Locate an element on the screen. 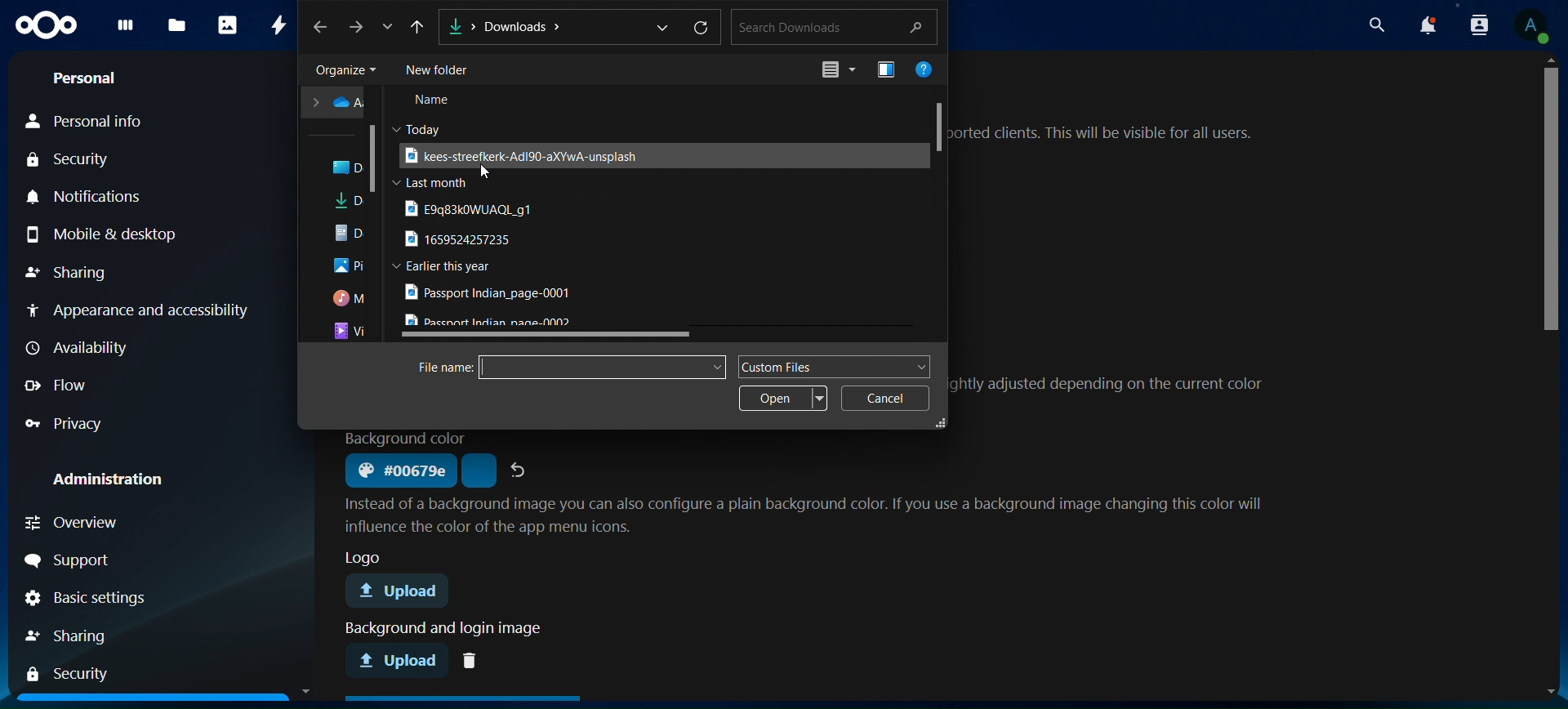 The height and width of the screenshot is (709, 1568). file is located at coordinates (496, 320).